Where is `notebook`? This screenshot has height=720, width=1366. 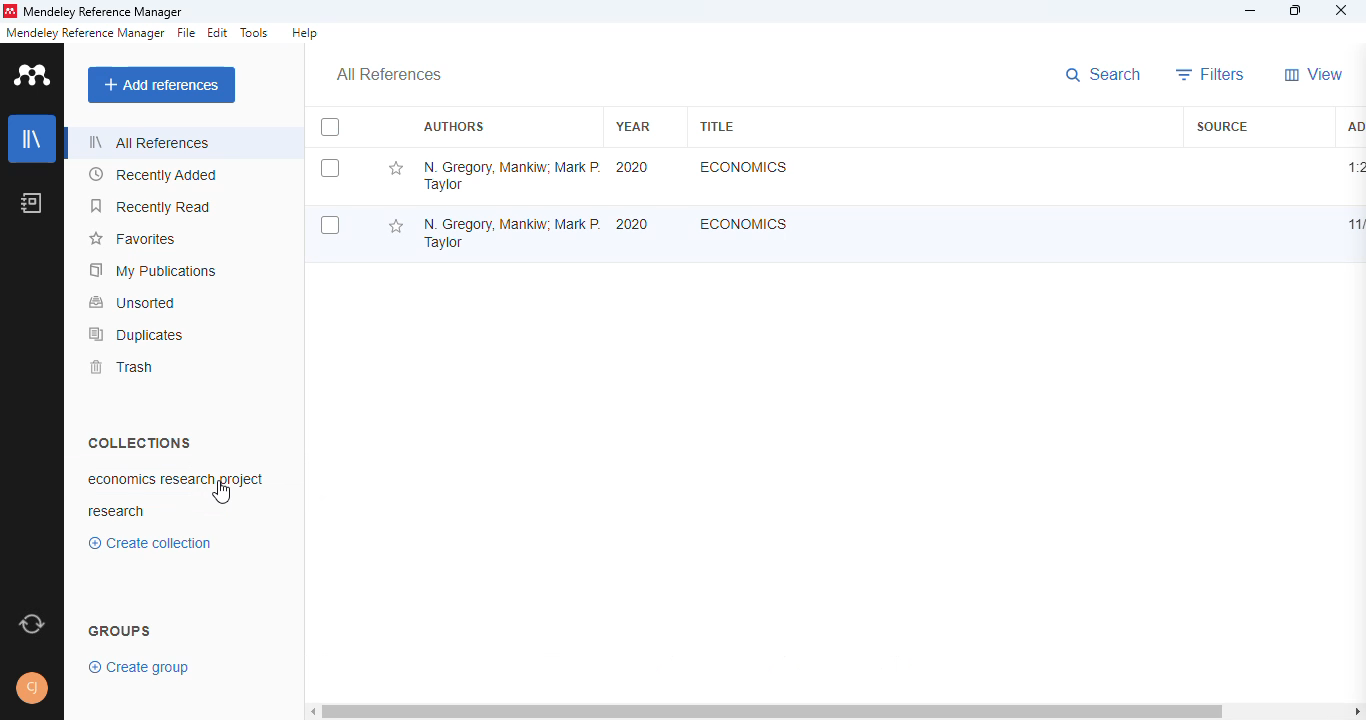
notebook is located at coordinates (32, 202).